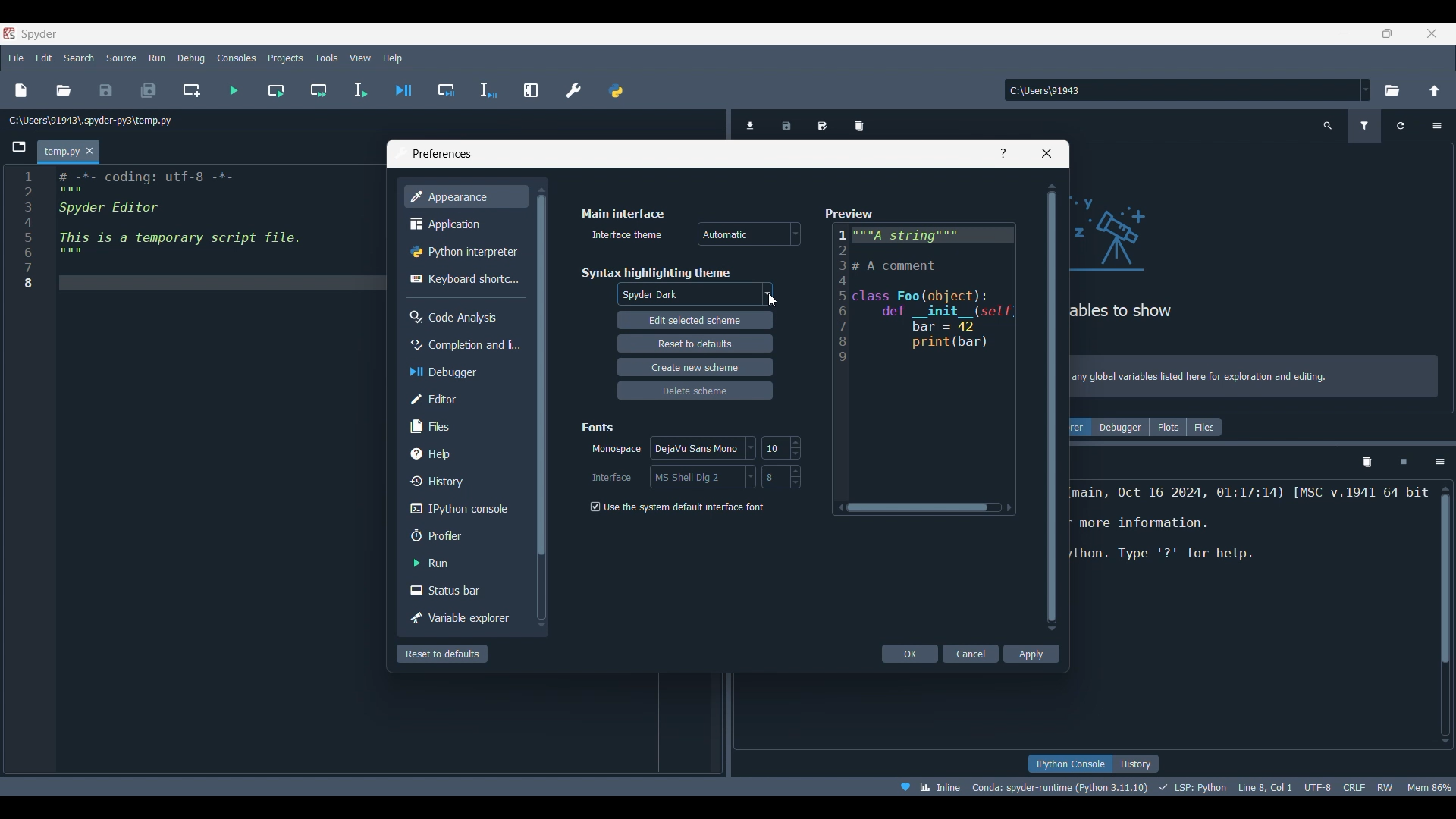  Describe the element at coordinates (1251, 538) in the screenshot. I see `ipython console pane` at that location.